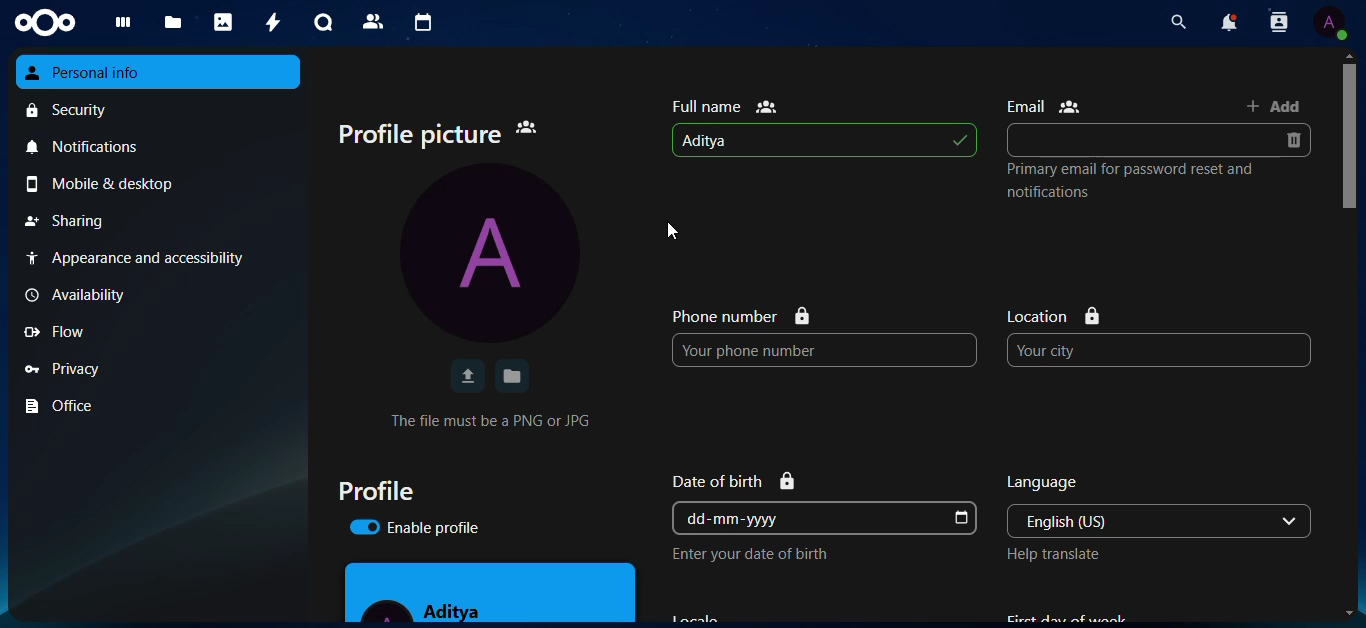 The width and height of the screenshot is (1366, 628). I want to click on notification, so click(1230, 21).